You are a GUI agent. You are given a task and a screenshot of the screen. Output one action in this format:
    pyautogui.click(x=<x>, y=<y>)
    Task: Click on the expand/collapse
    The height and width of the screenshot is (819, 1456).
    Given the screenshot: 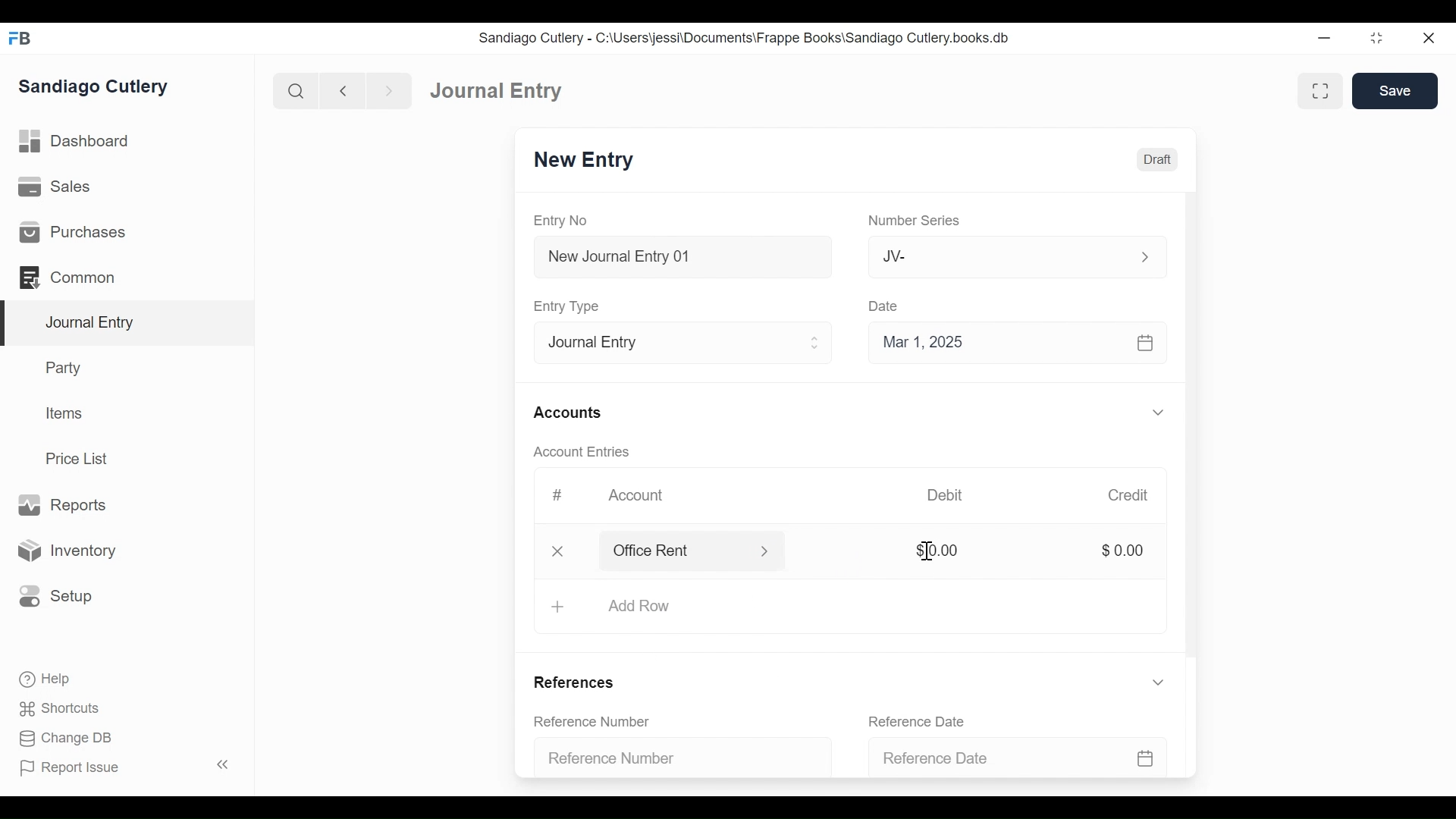 What is the action you would take?
    pyautogui.click(x=1157, y=682)
    